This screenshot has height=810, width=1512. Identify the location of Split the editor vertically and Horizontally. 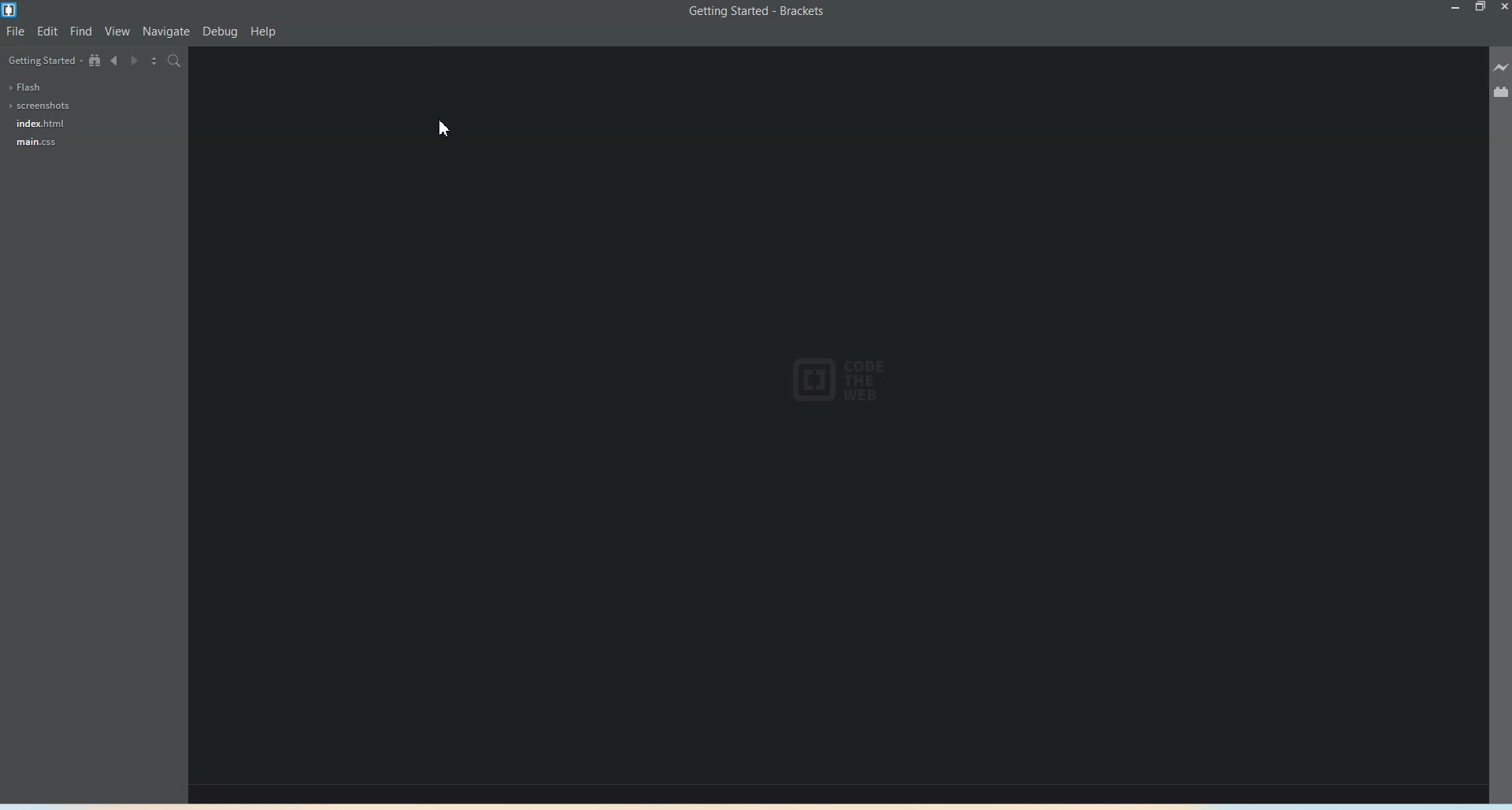
(156, 62).